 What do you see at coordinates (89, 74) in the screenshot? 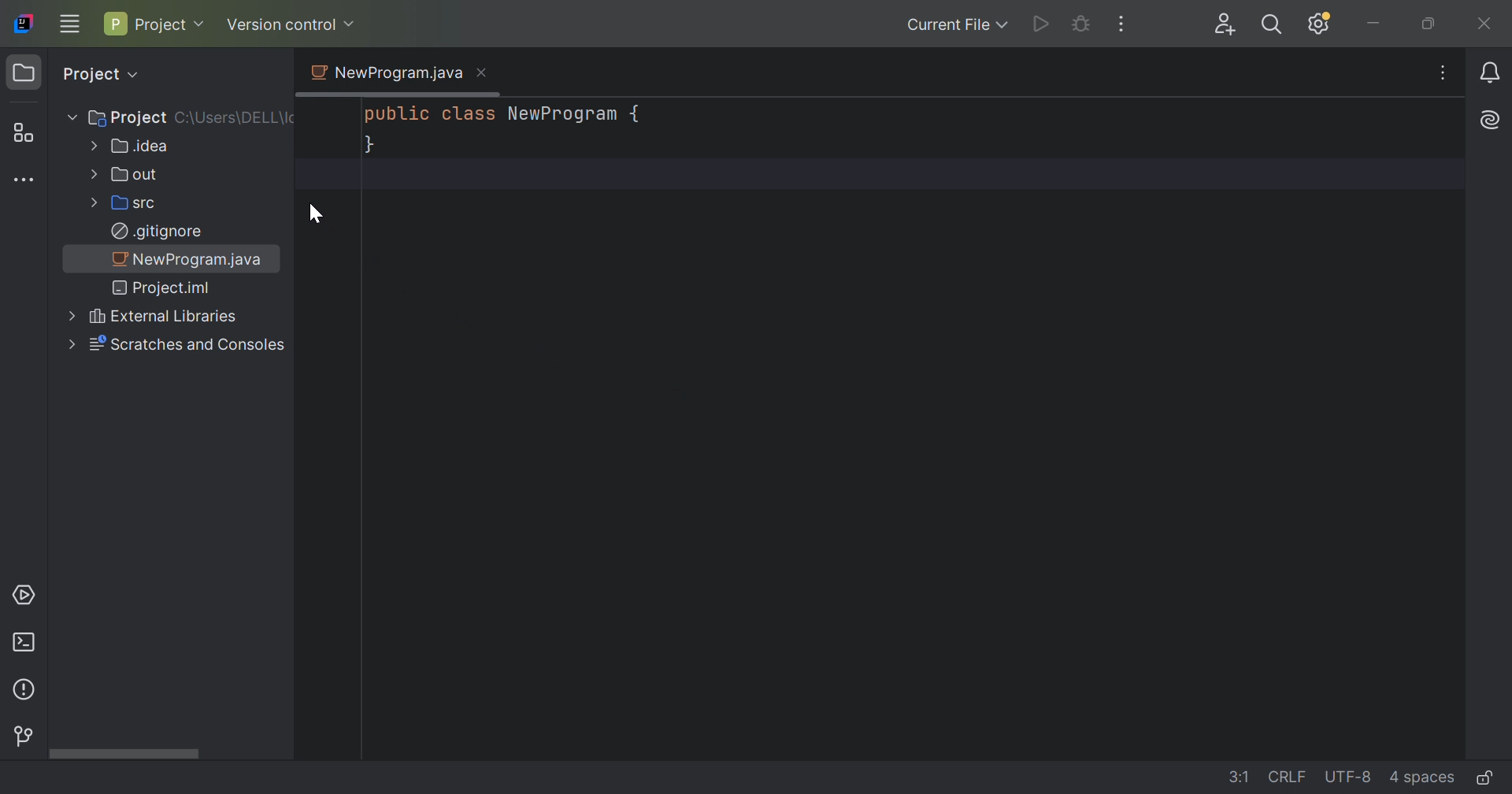
I see `Project` at bounding box center [89, 74].